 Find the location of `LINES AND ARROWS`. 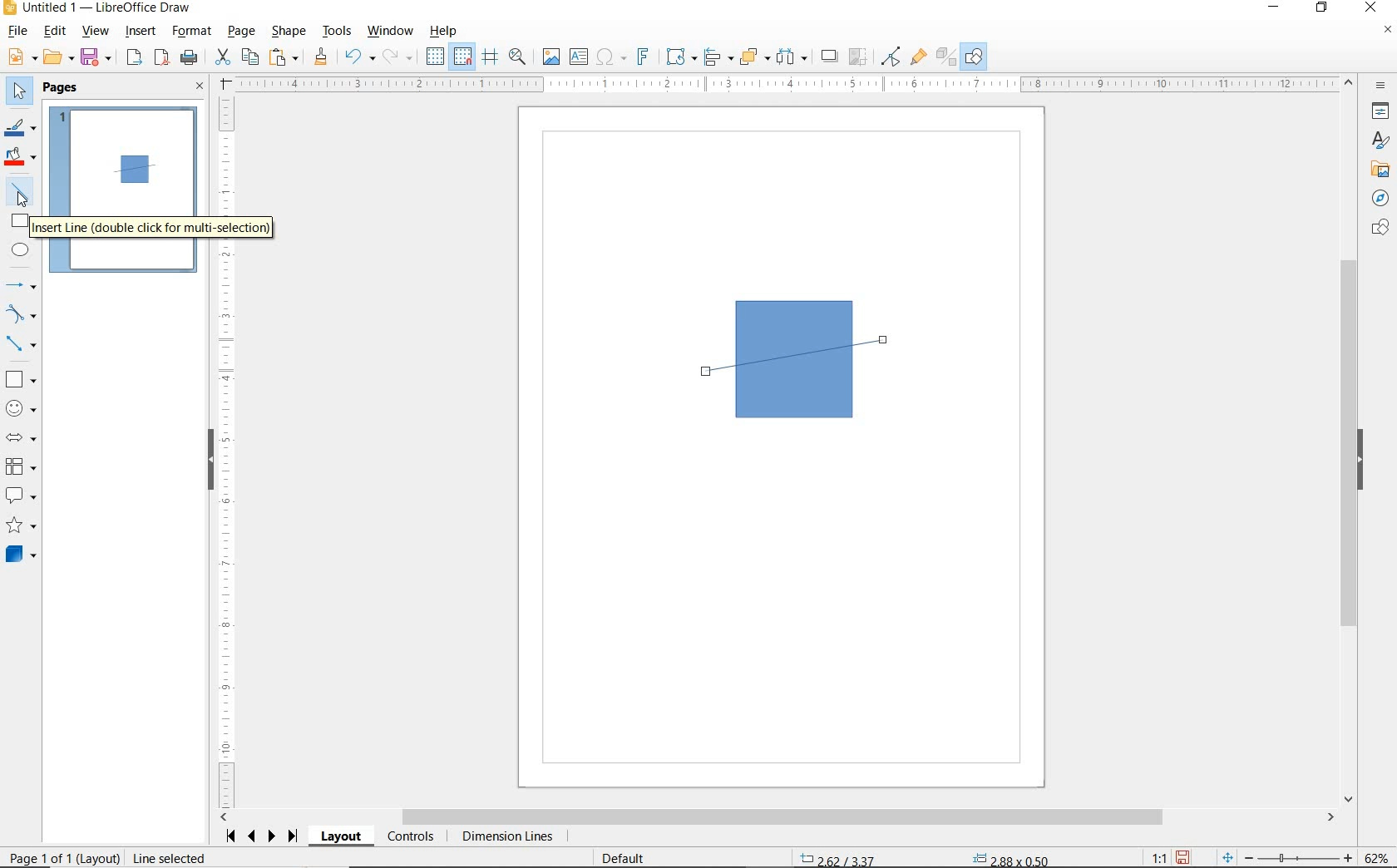

LINES AND ARROWS is located at coordinates (22, 285).